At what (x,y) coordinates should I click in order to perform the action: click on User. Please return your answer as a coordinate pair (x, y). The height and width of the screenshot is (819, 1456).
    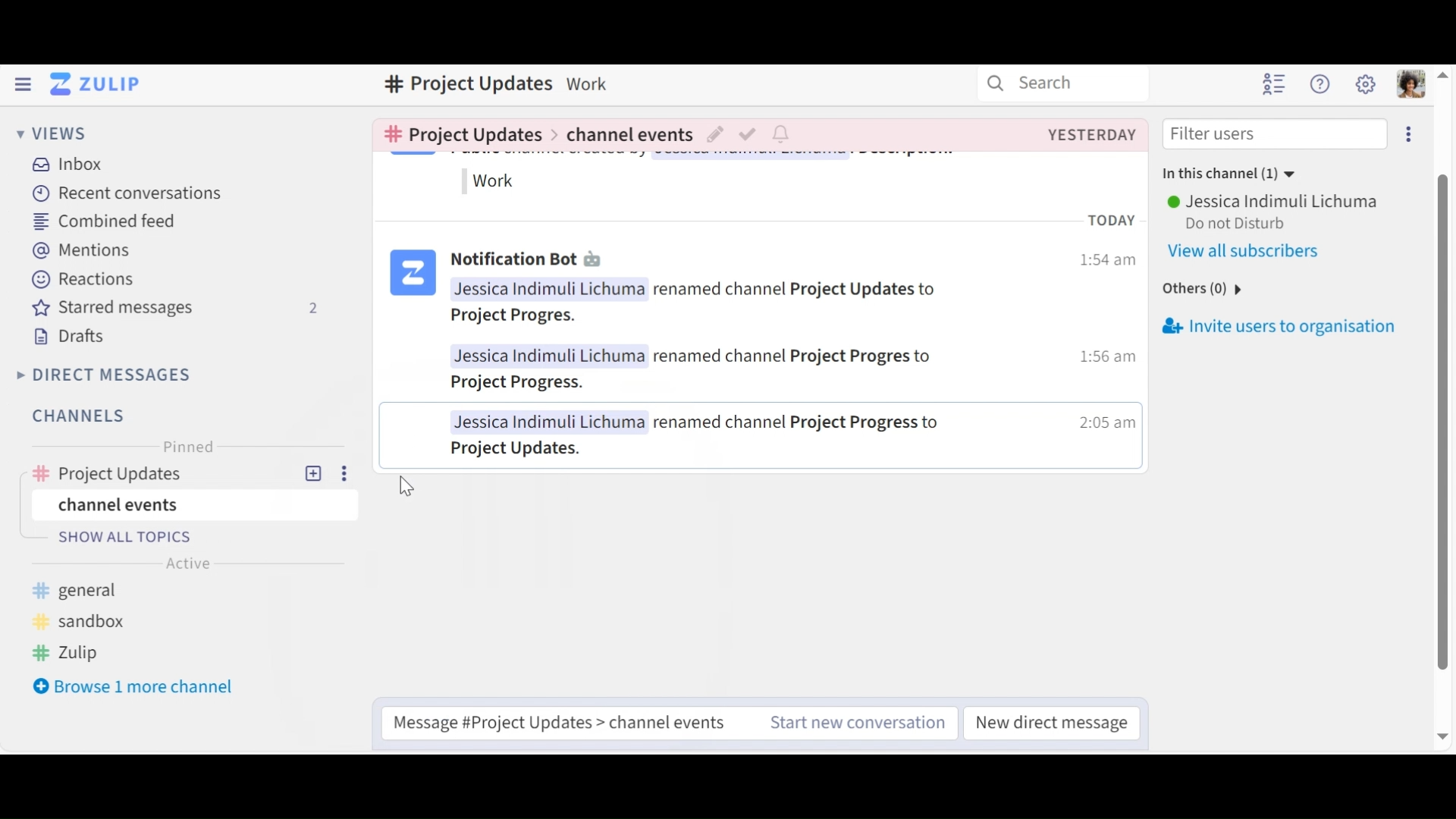
    Looking at the image, I should click on (1272, 203).